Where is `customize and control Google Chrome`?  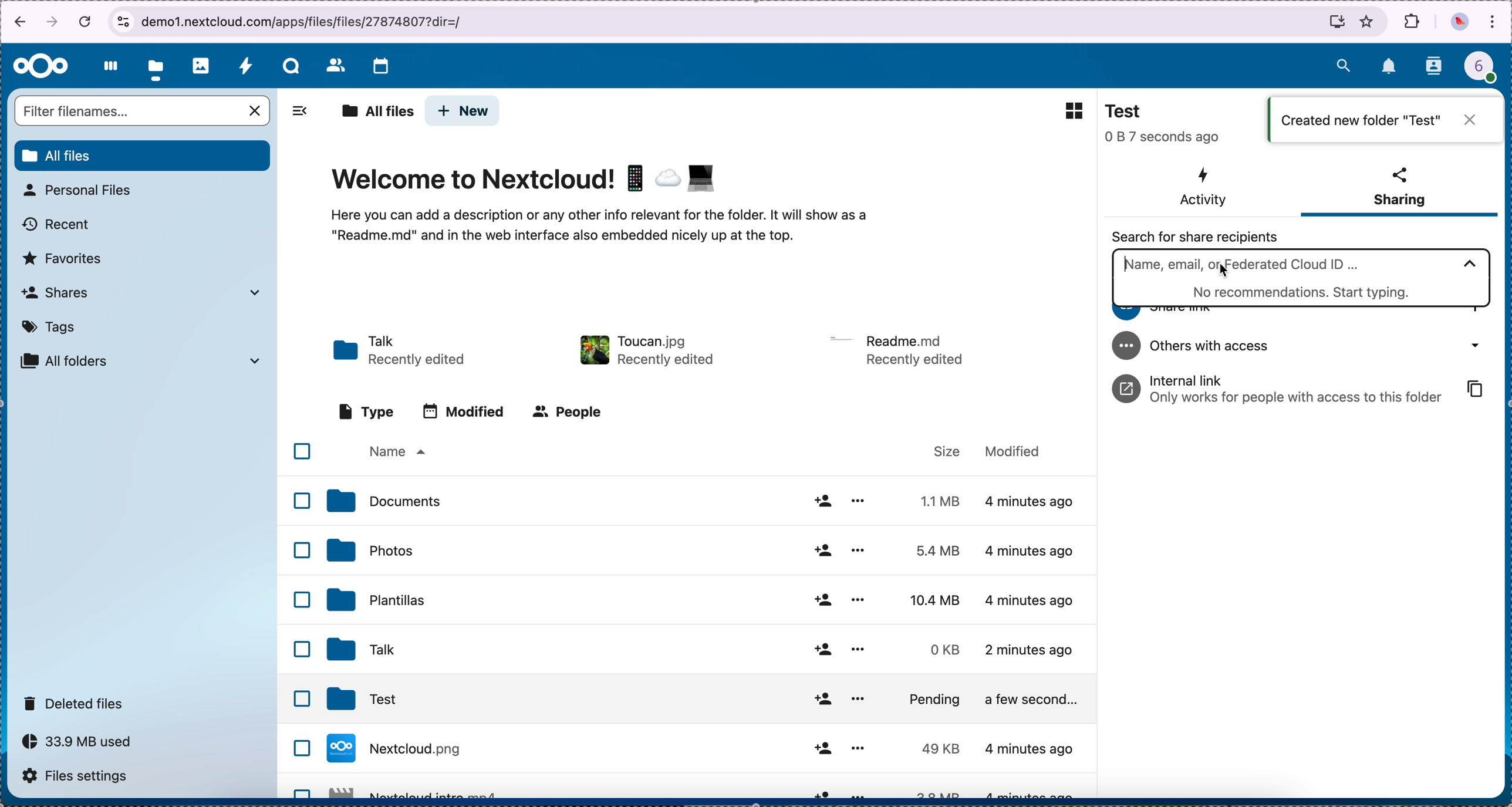
customize and control Google Chrome is located at coordinates (1493, 23).